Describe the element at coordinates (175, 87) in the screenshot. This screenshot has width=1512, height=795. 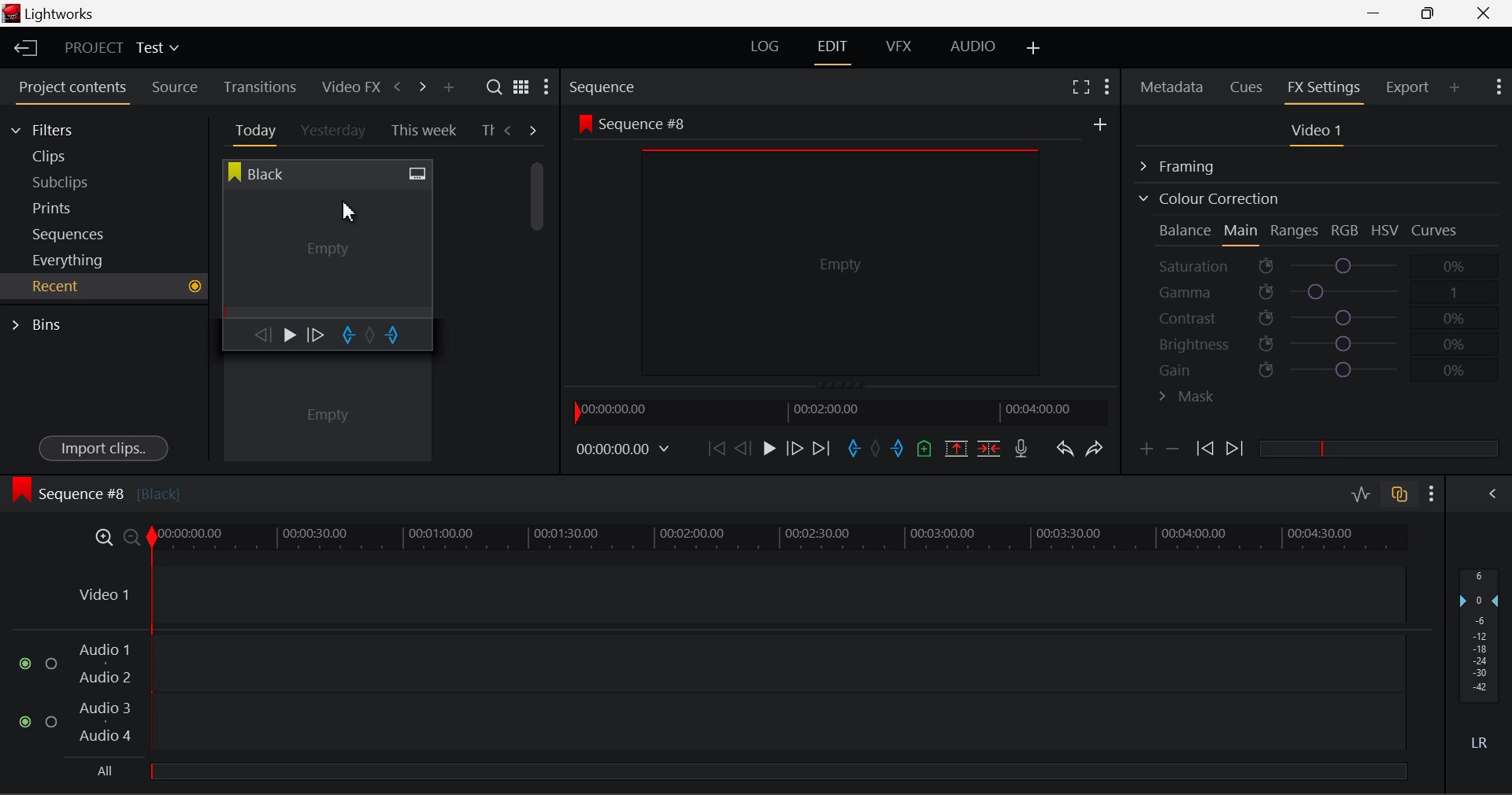
I see `Source` at that location.